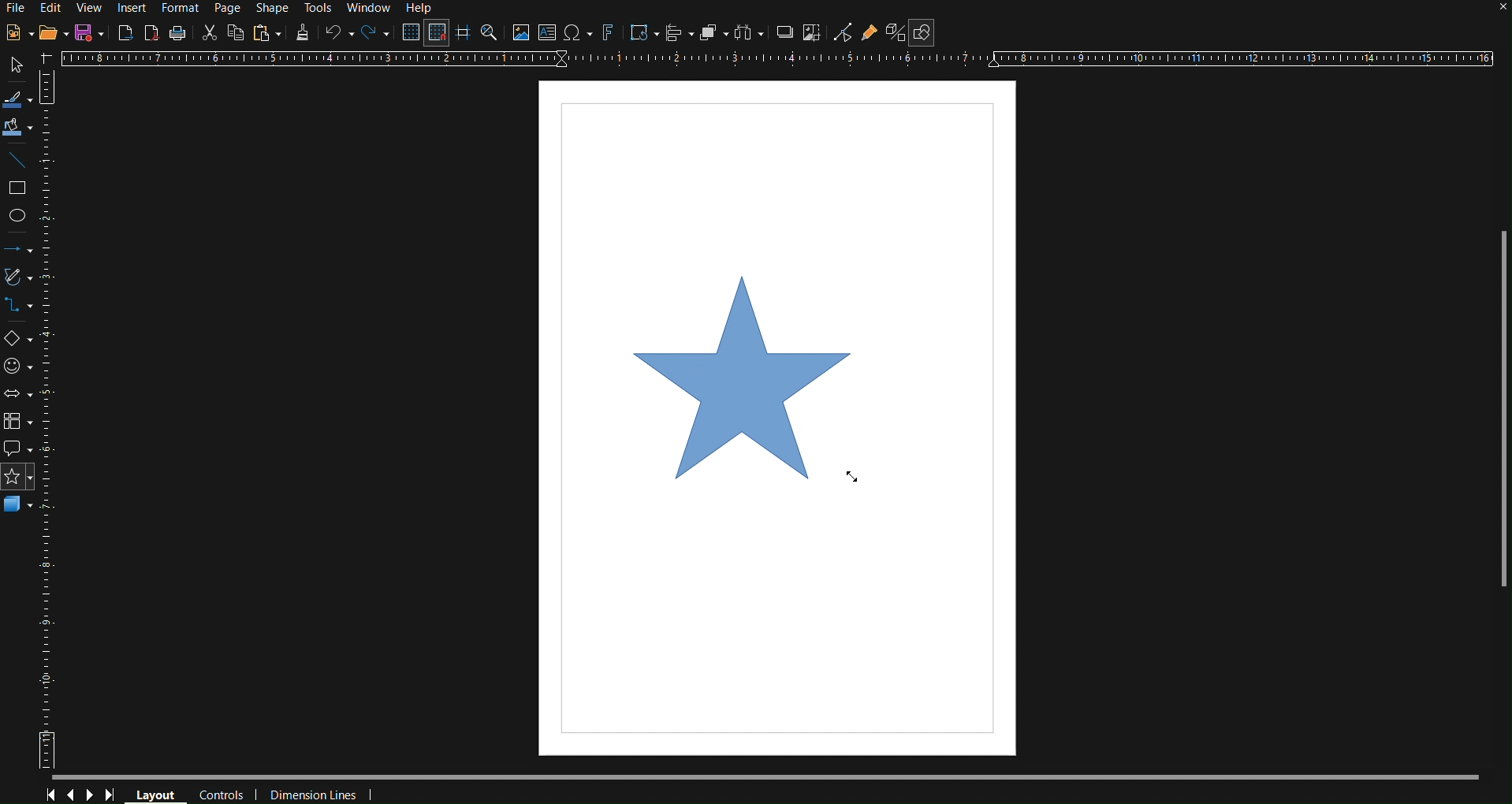 This screenshot has width=1512, height=804. I want to click on Controls, so click(221, 793).